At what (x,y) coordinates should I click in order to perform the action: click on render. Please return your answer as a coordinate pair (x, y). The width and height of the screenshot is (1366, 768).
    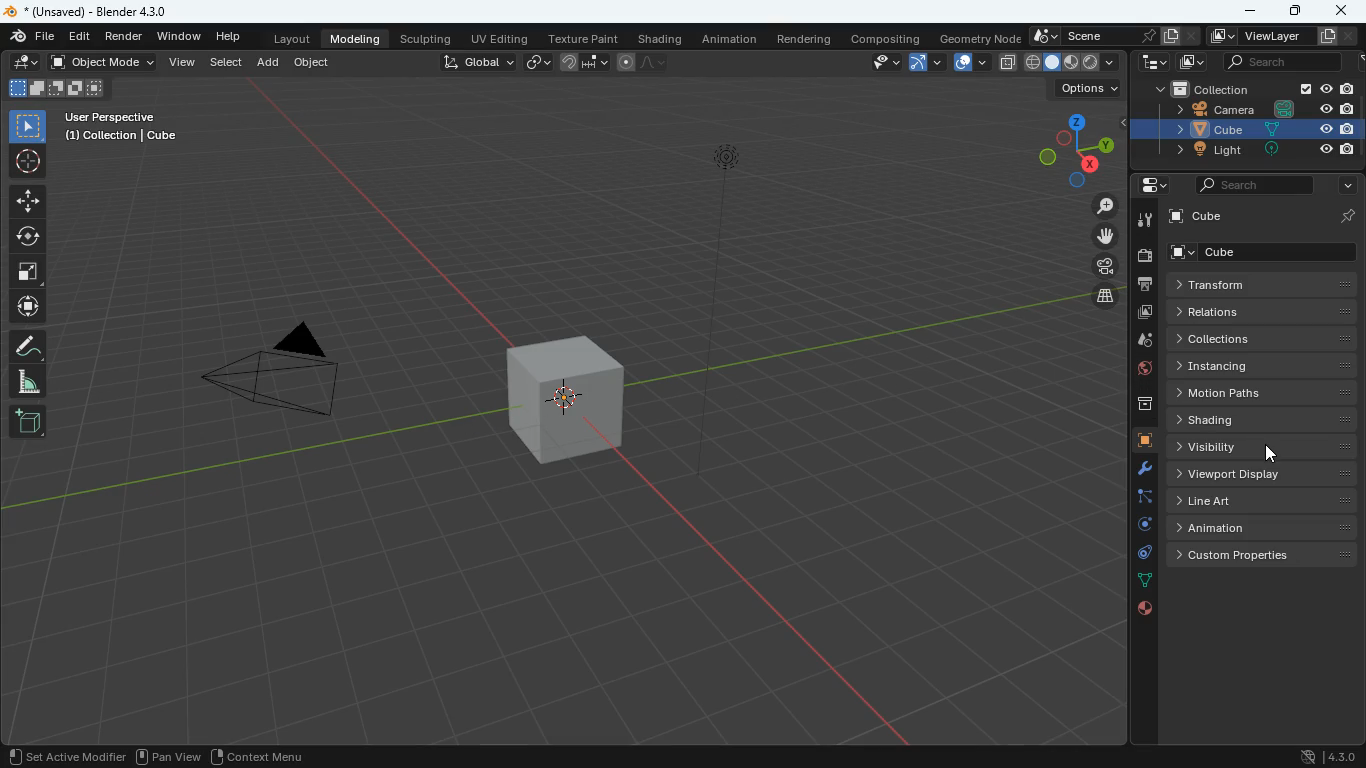
    Looking at the image, I should click on (125, 36).